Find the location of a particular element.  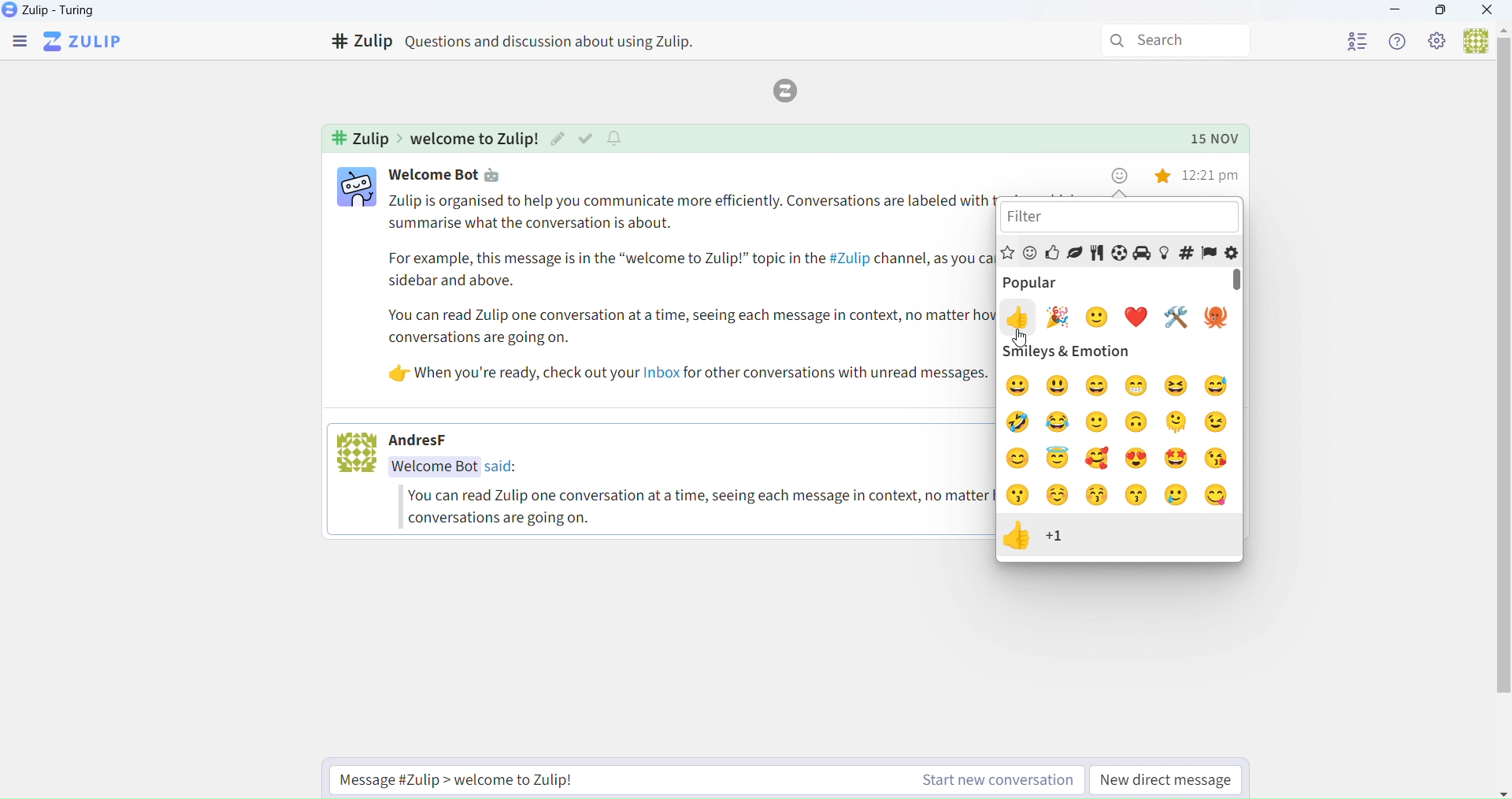

kissing heart is located at coordinates (1219, 458).